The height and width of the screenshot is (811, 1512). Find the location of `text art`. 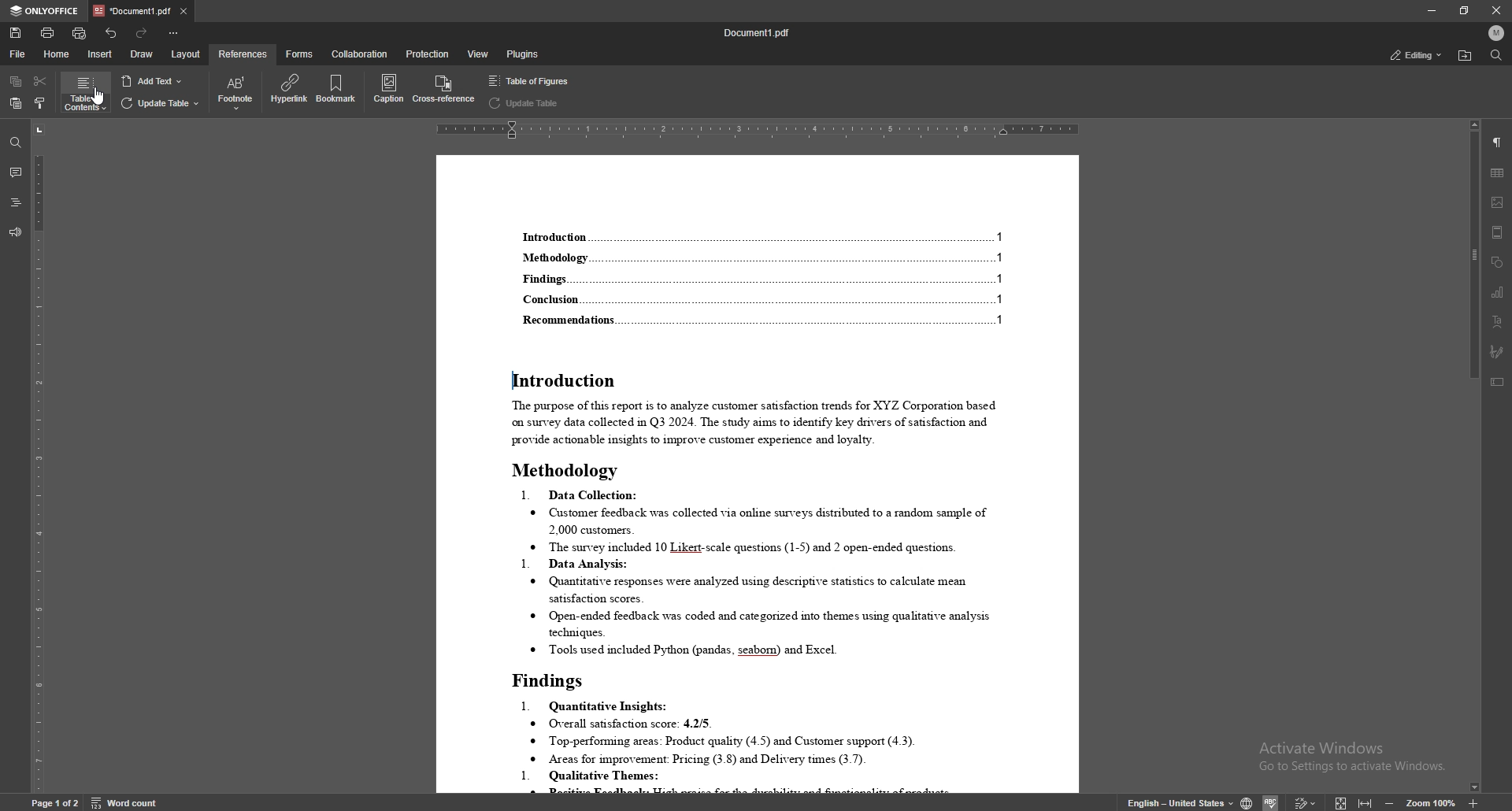

text art is located at coordinates (1497, 323).